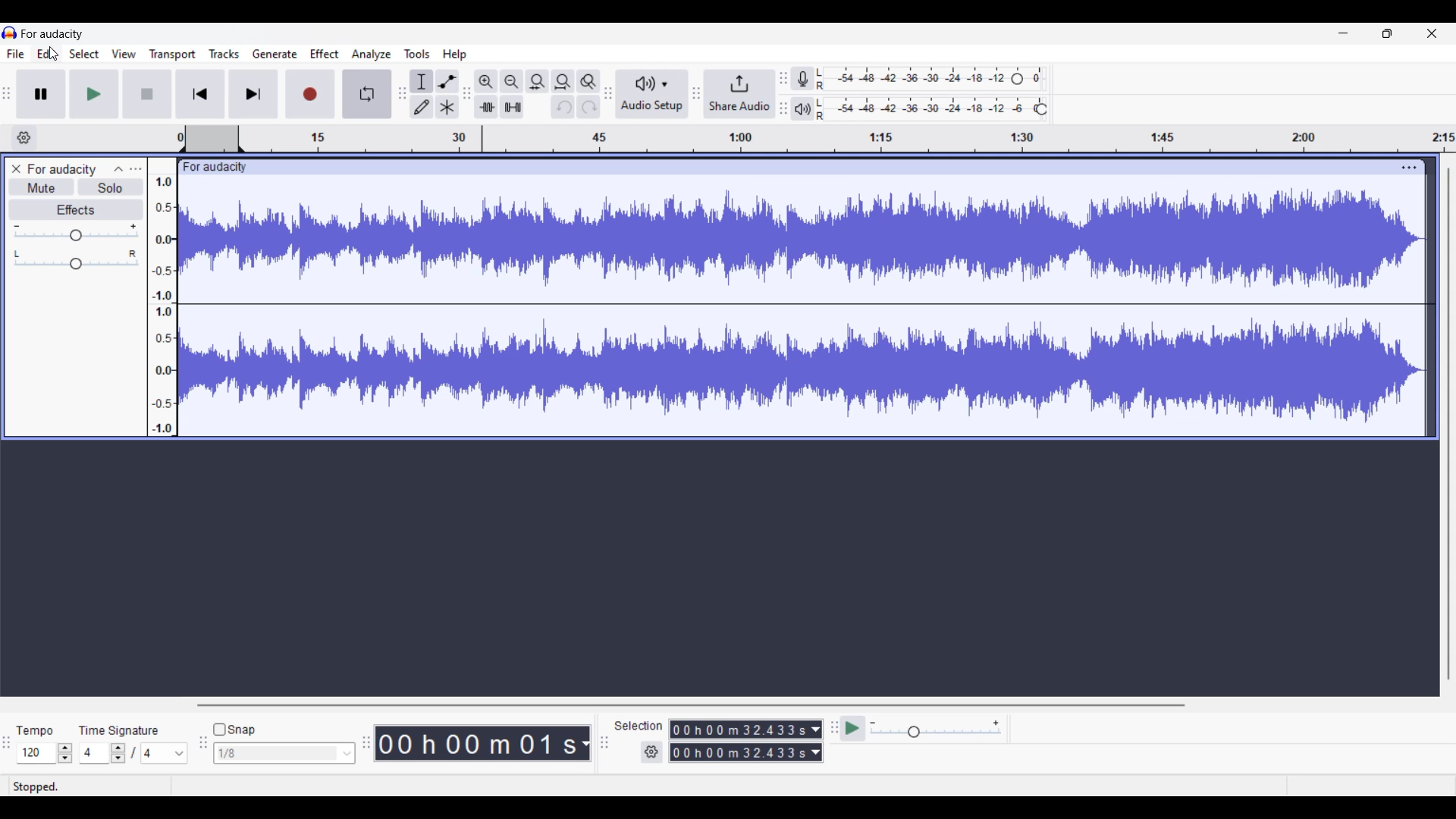  I want to click on Scale to measure track intensity, so click(162, 305).